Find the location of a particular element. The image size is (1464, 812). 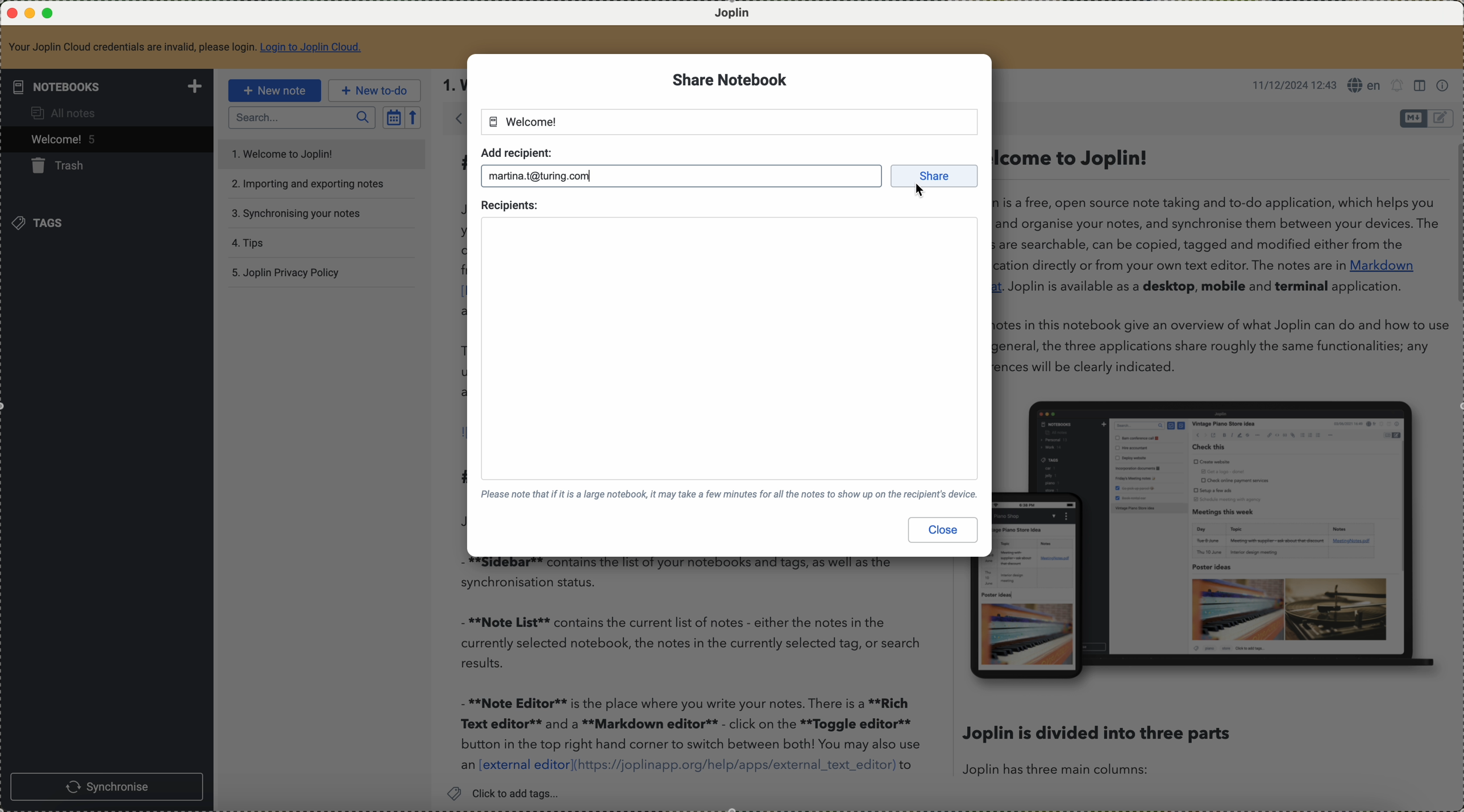

martina.t@turing.com is located at coordinates (543, 174).